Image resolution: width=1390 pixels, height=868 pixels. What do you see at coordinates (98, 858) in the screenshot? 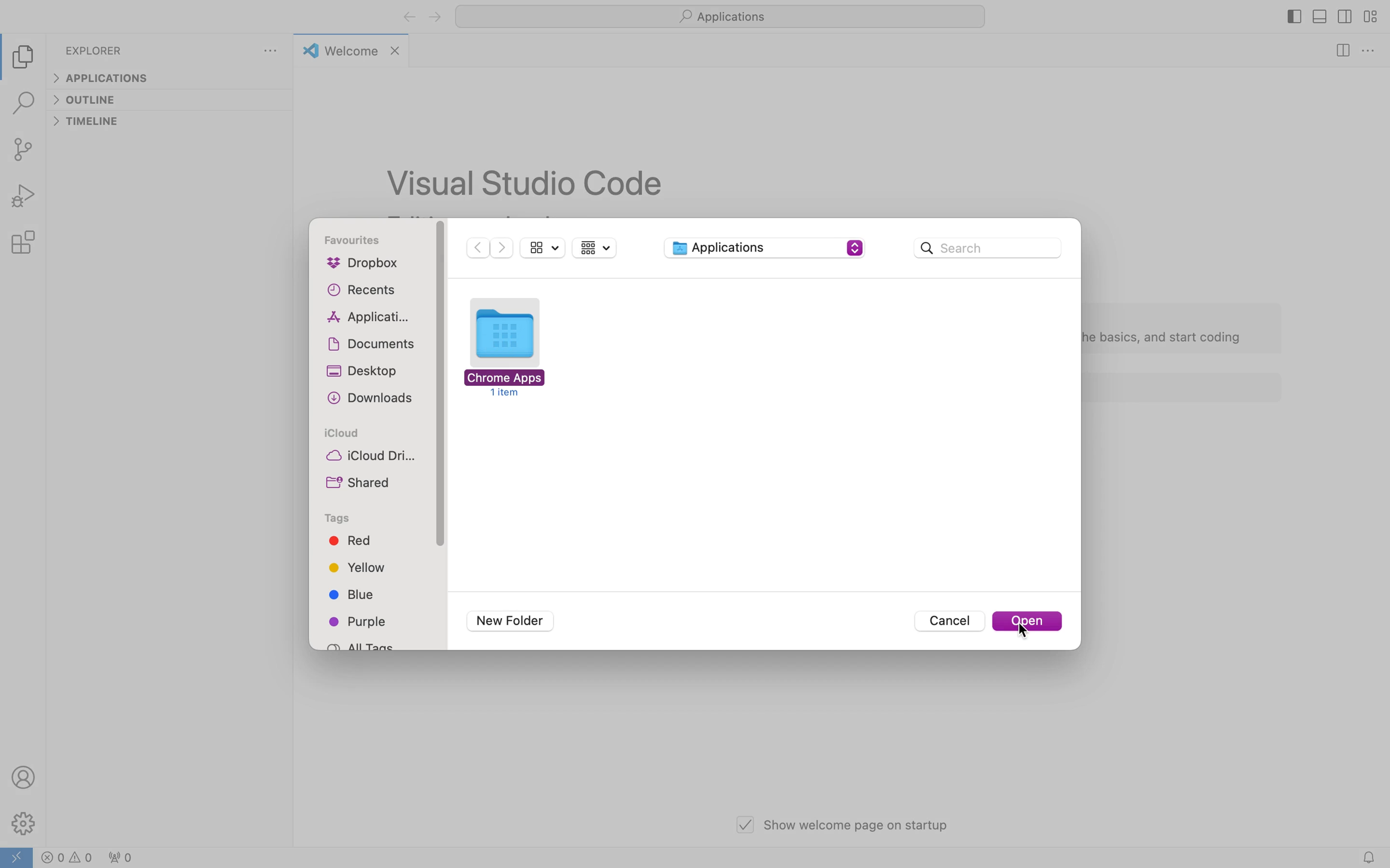
I see `warnings , cautions` at bounding box center [98, 858].